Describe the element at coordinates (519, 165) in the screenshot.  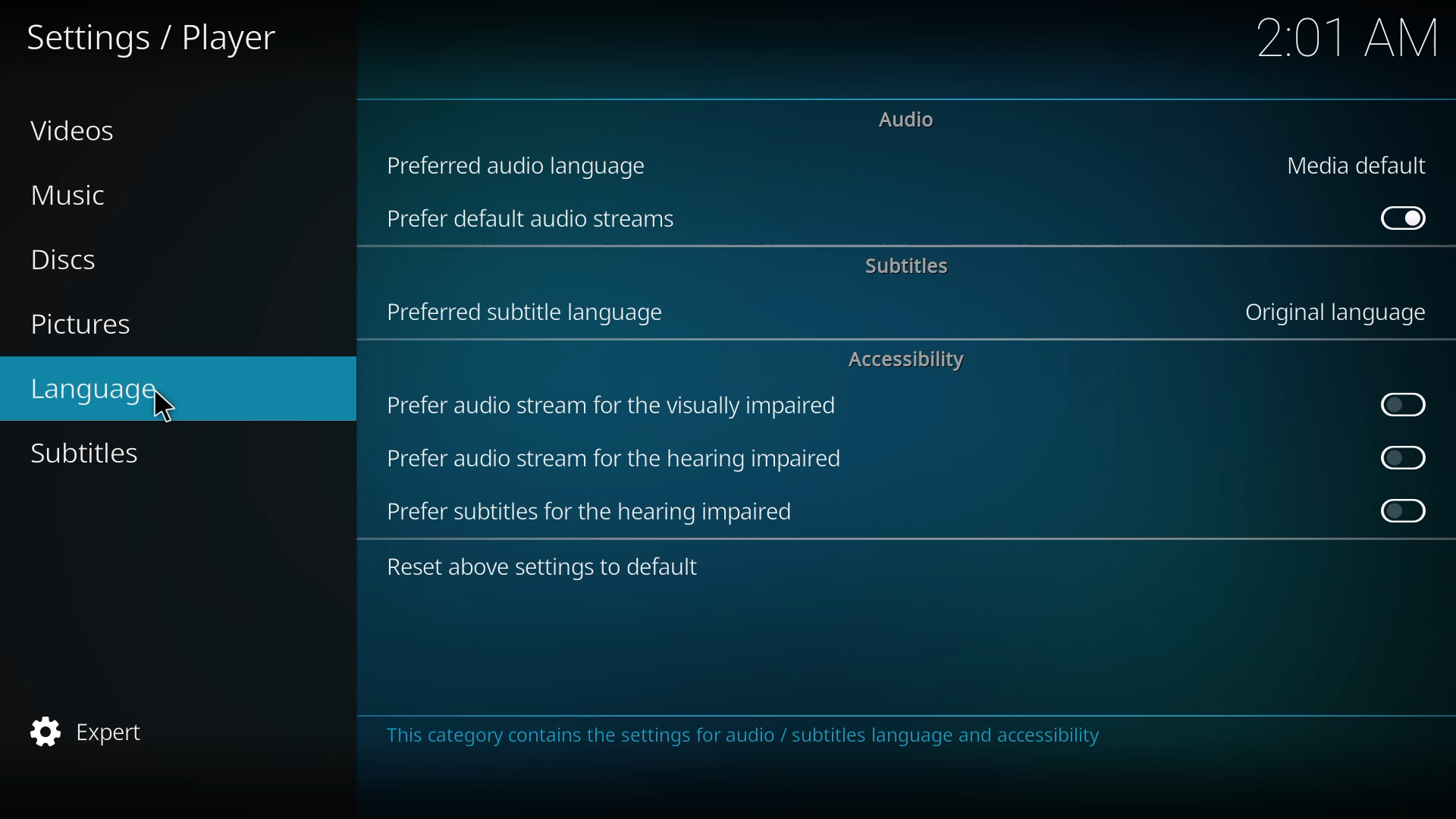
I see `preferred audio language` at that location.